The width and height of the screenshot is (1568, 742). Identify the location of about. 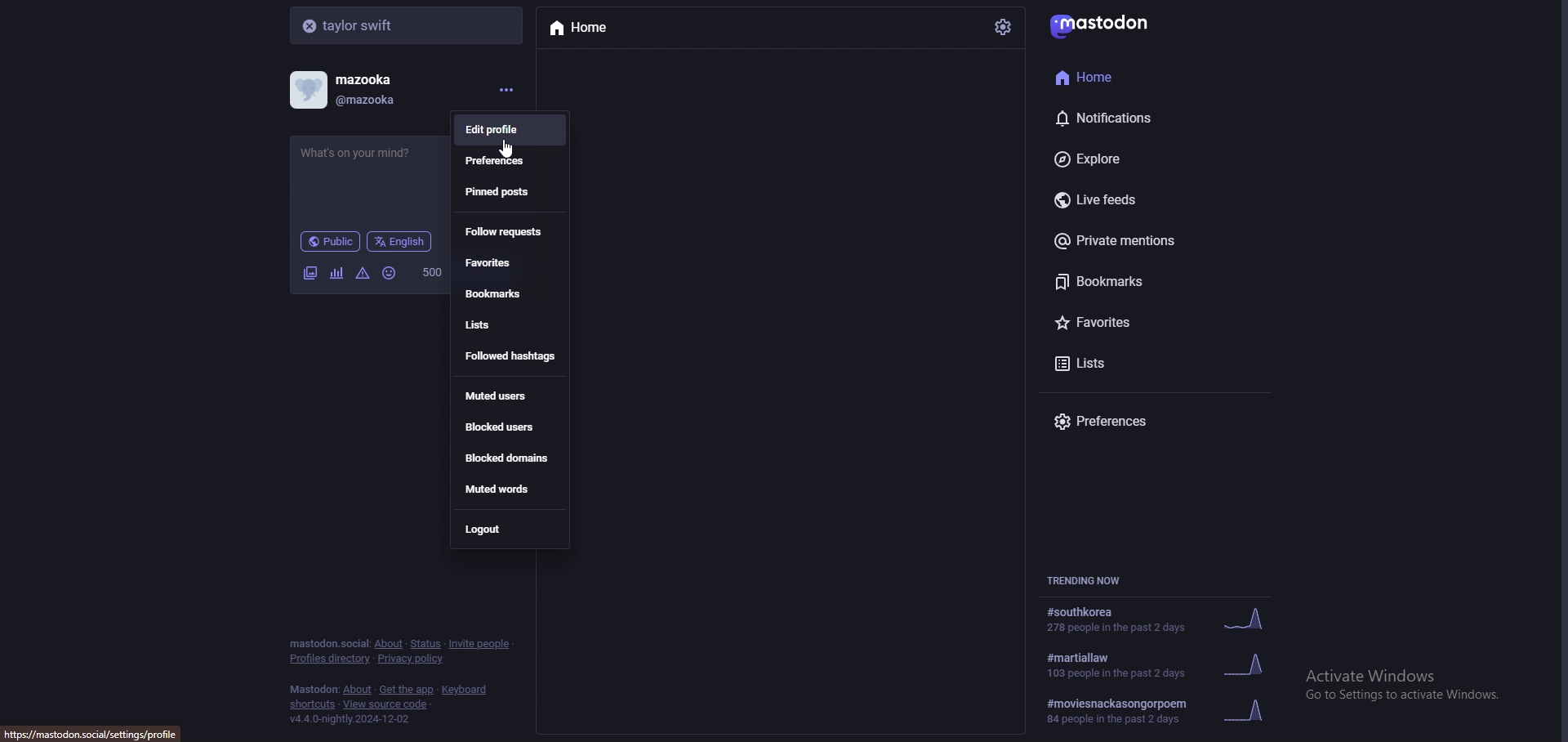
(390, 644).